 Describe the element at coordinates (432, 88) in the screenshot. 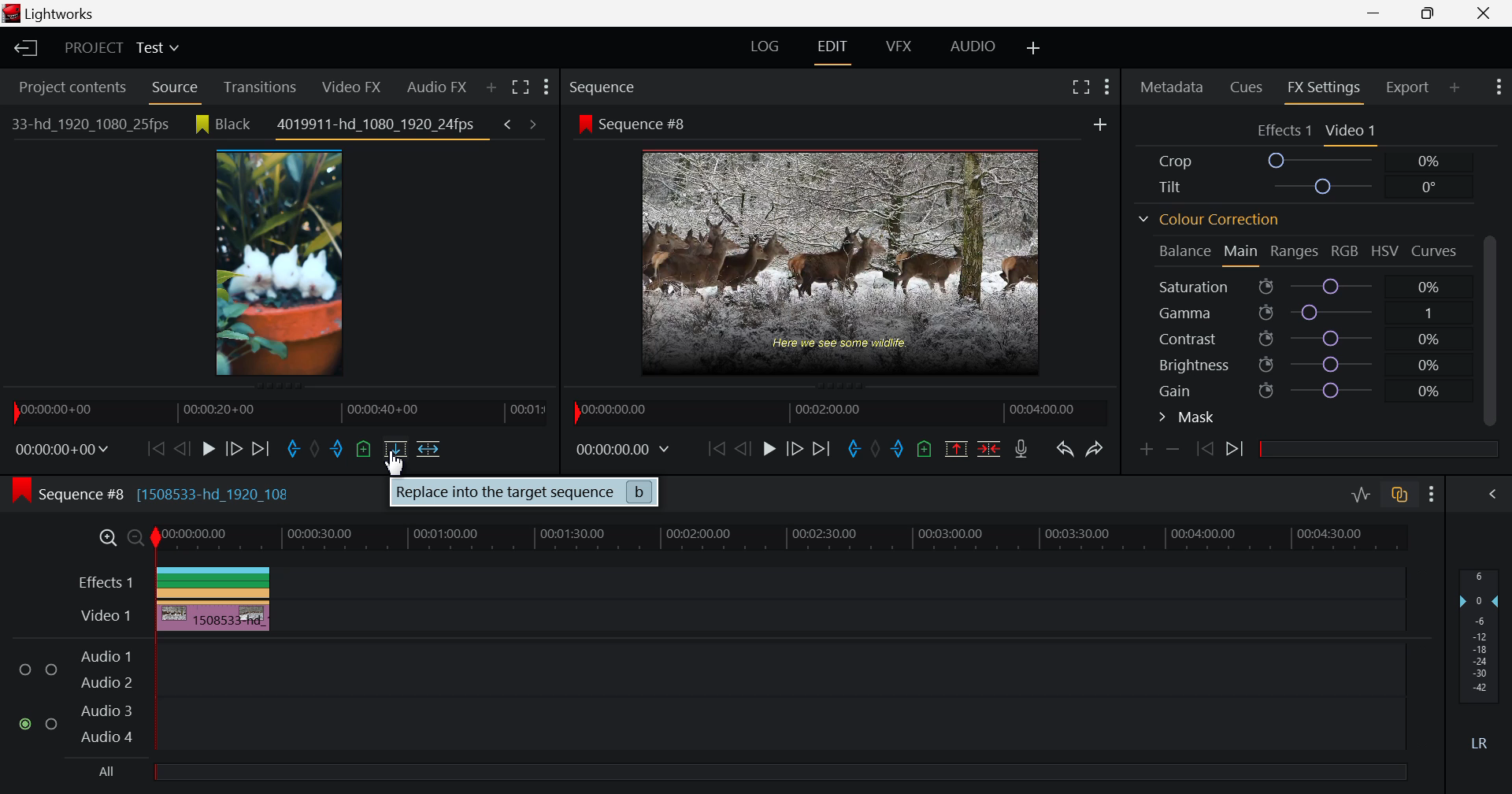

I see `Audio FX` at that location.